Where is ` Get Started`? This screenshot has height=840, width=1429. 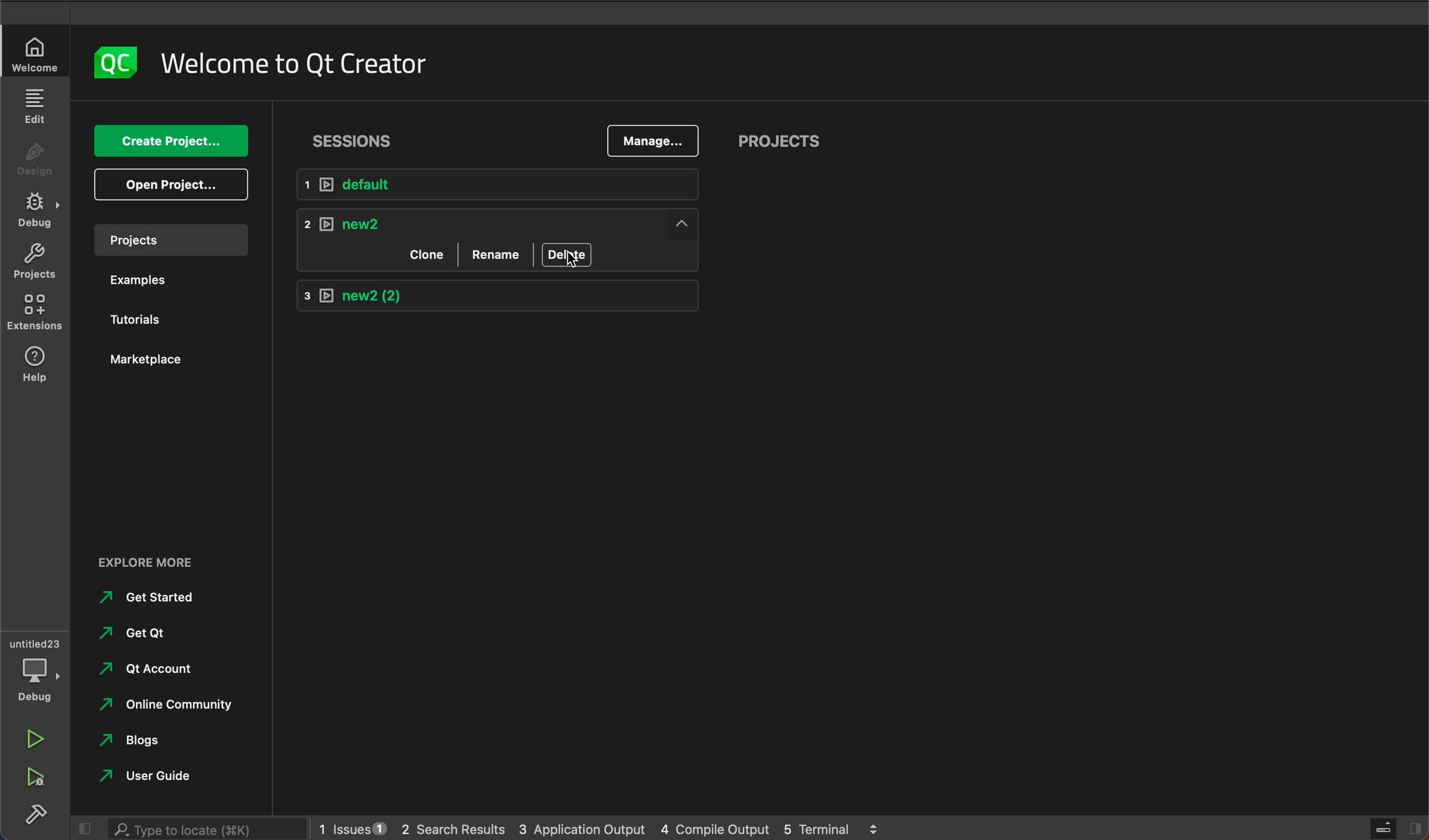
 Get Started is located at coordinates (157, 599).